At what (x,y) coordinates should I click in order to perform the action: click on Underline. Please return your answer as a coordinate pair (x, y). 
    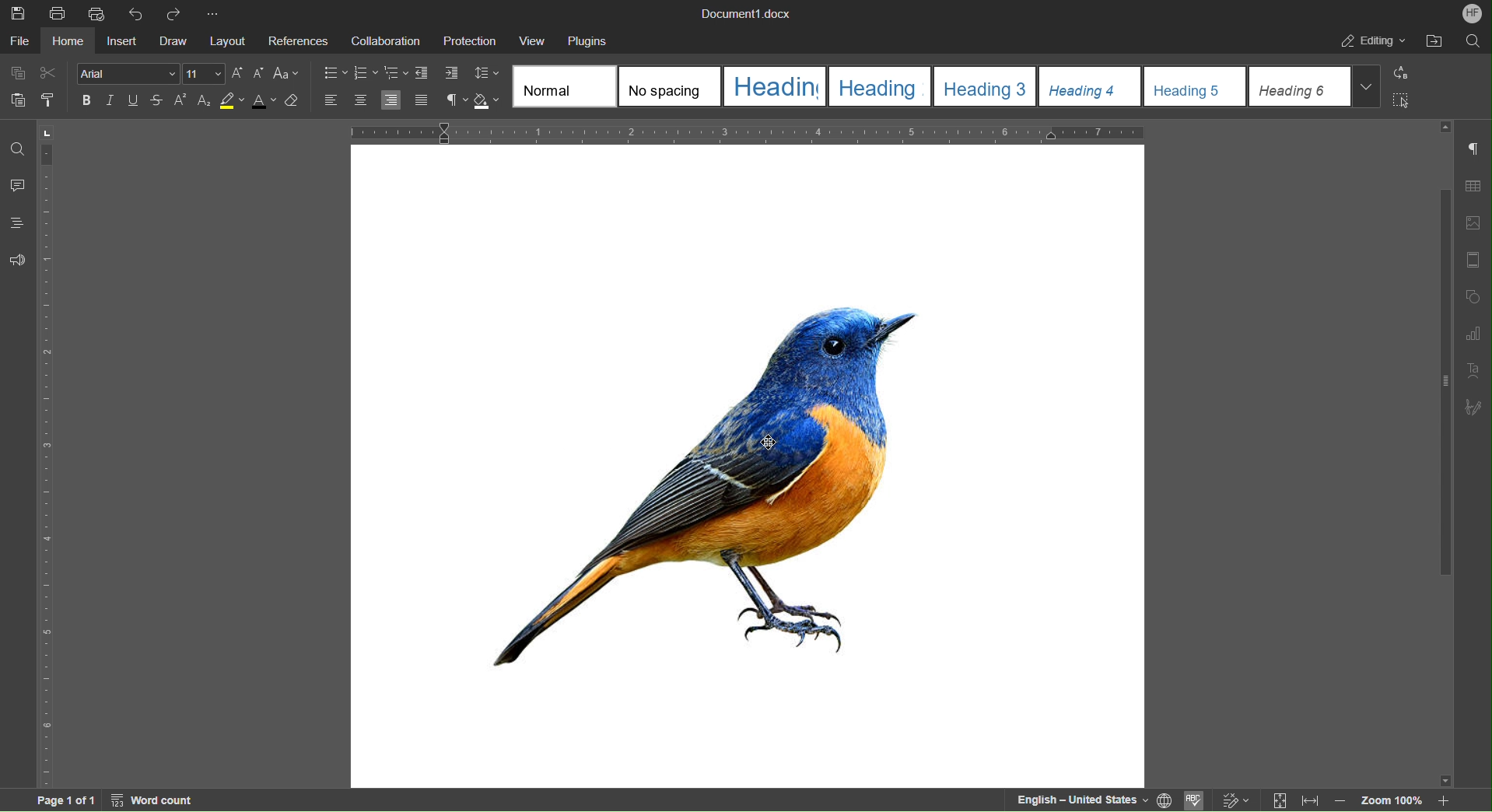
    Looking at the image, I should click on (133, 101).